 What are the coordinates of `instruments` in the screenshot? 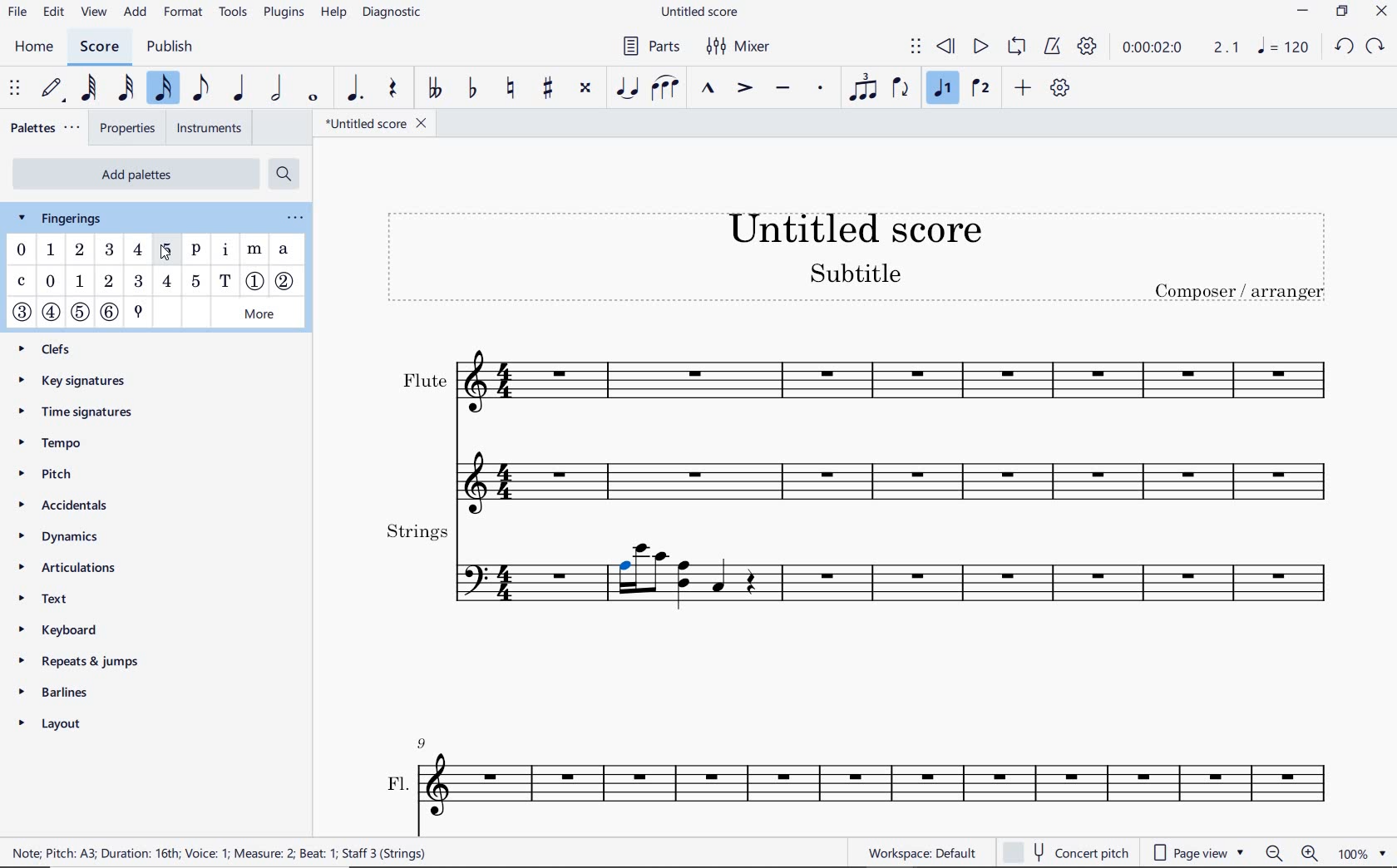 It's located at (208, 126).